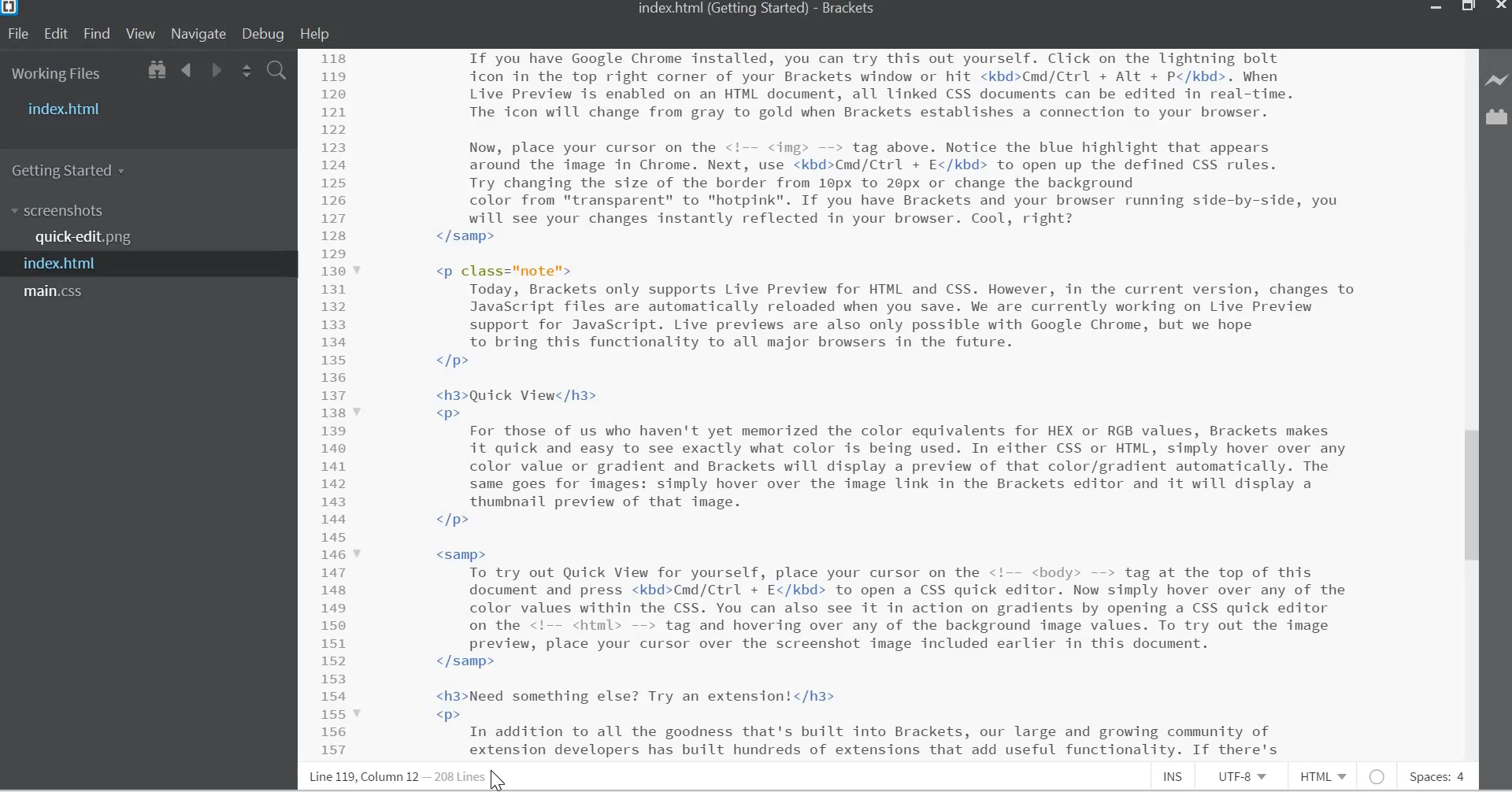 The image size is (1512, 792). Describe the element at coordinates (1496, 80) in the screenshot. I see `Live Preview` at that location.